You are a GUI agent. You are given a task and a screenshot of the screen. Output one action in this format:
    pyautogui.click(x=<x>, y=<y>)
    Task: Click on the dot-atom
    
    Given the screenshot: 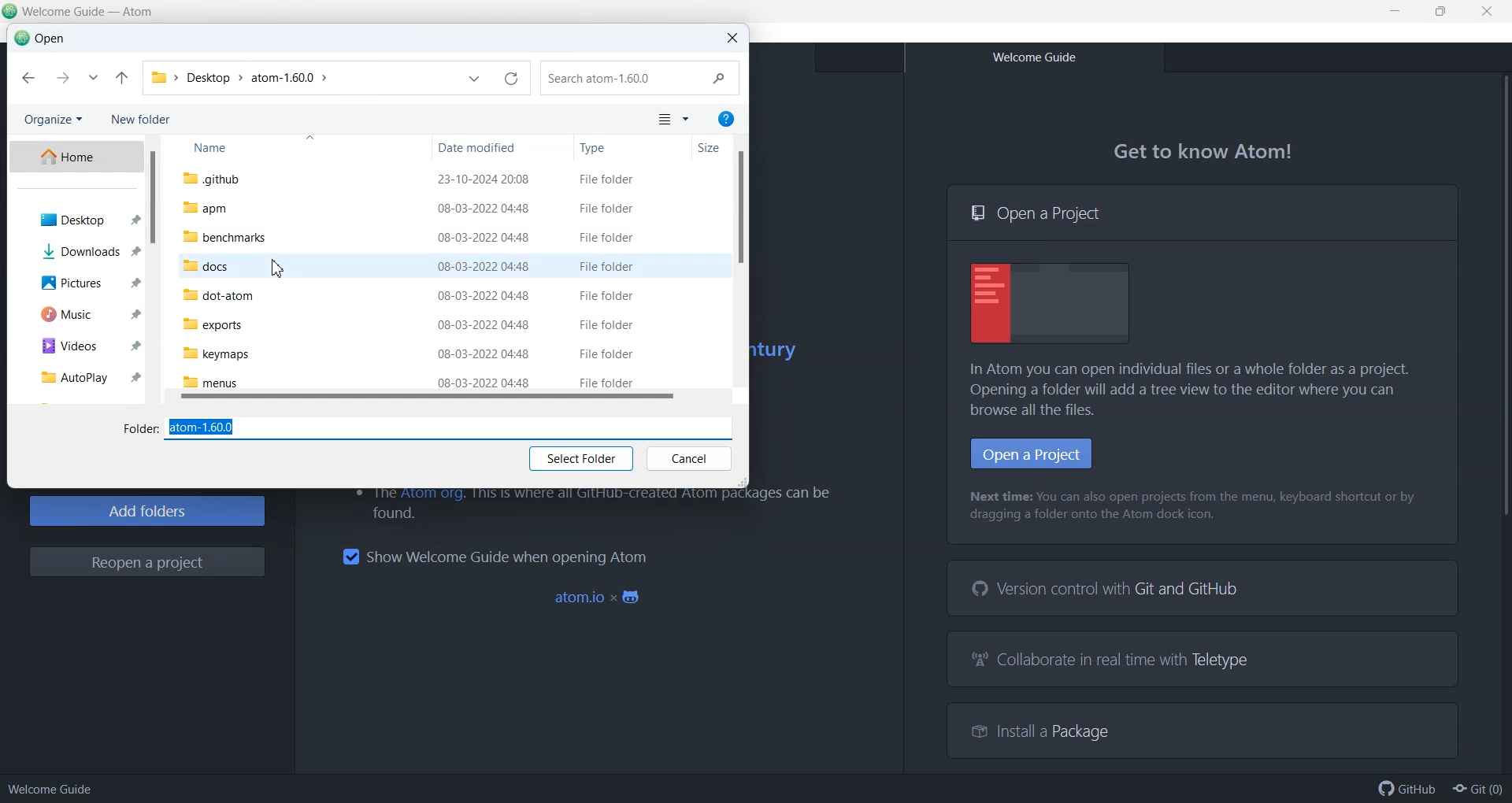 What is the action you would take?
    pyautogui.click(x=220, y=294)
    